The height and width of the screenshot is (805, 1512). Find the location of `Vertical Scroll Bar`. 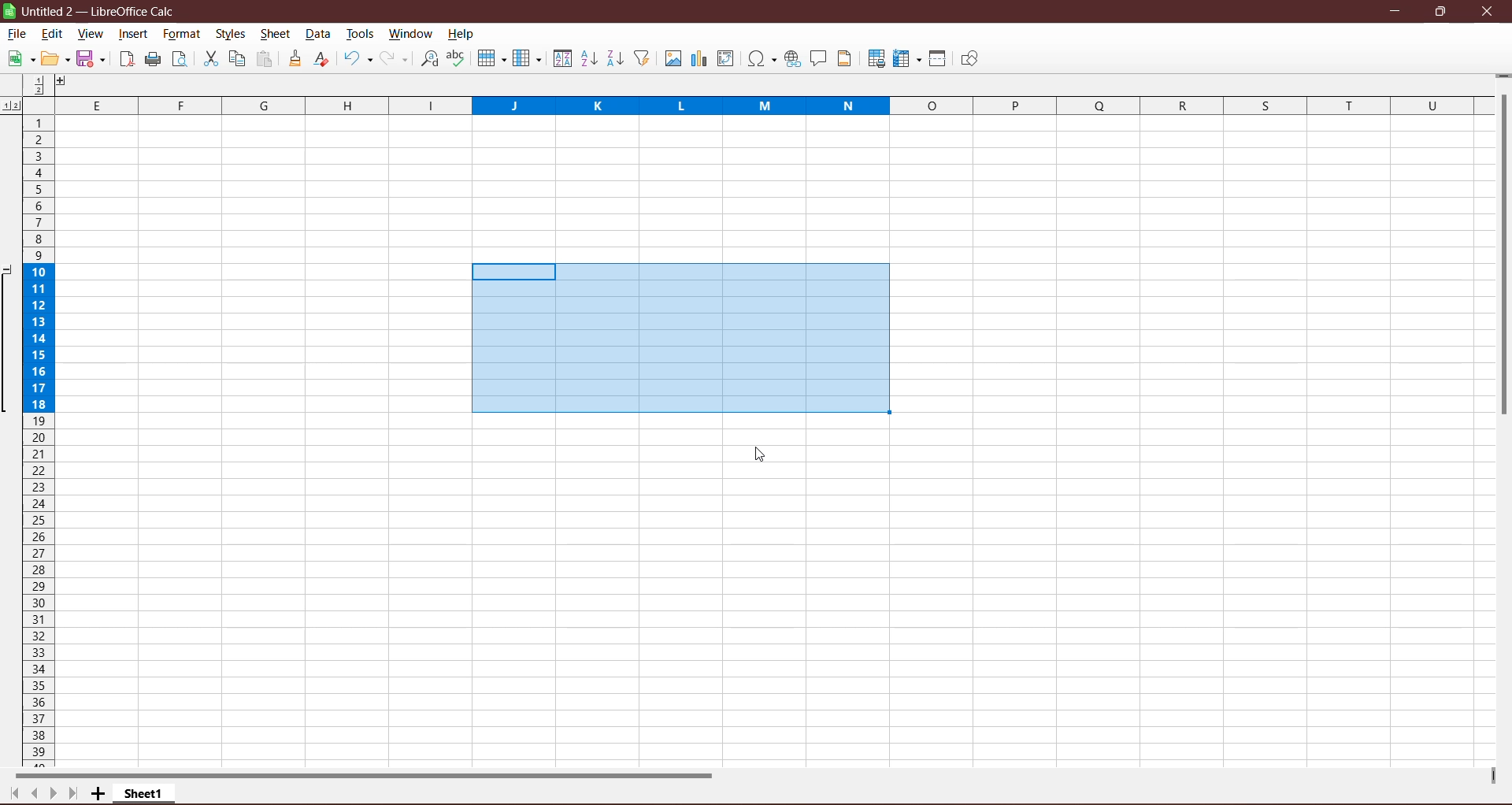

Vertical Scroll Bar is located at coordinates (1503, 258).